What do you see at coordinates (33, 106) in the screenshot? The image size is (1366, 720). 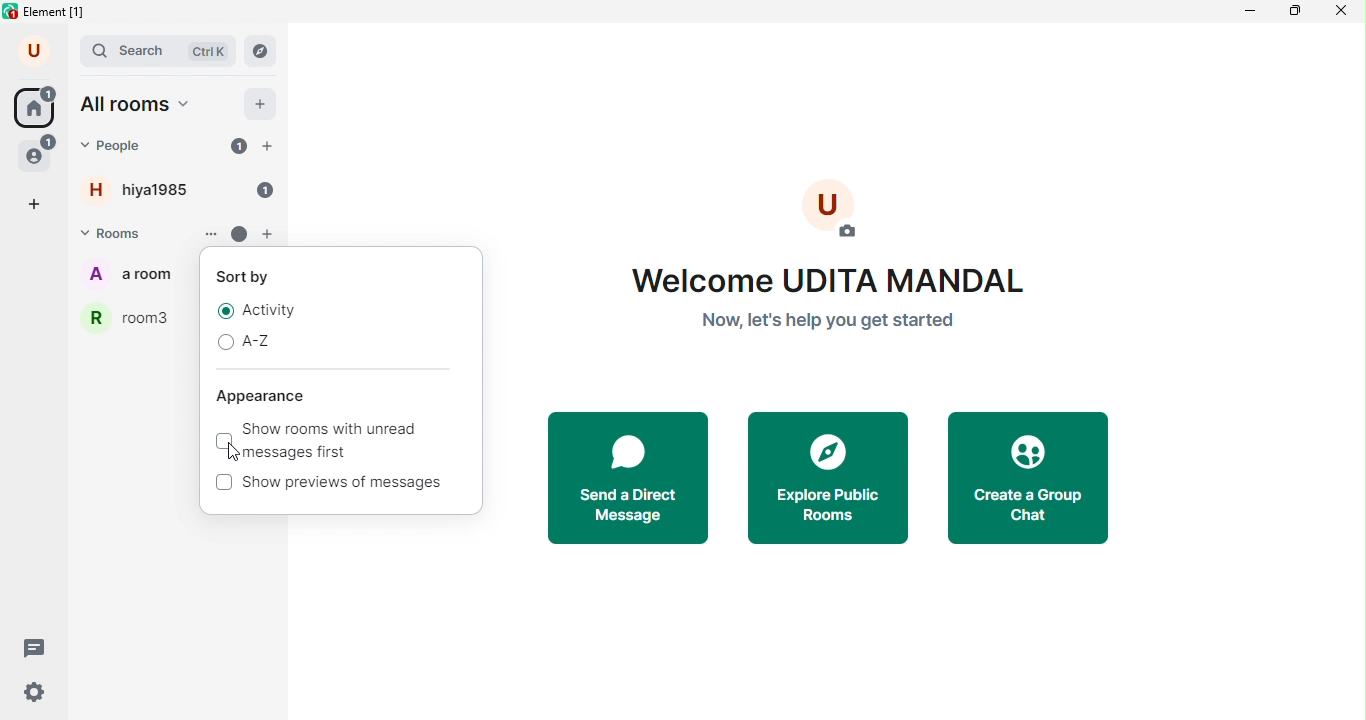 I see `home` at bounding box center [33, 106].